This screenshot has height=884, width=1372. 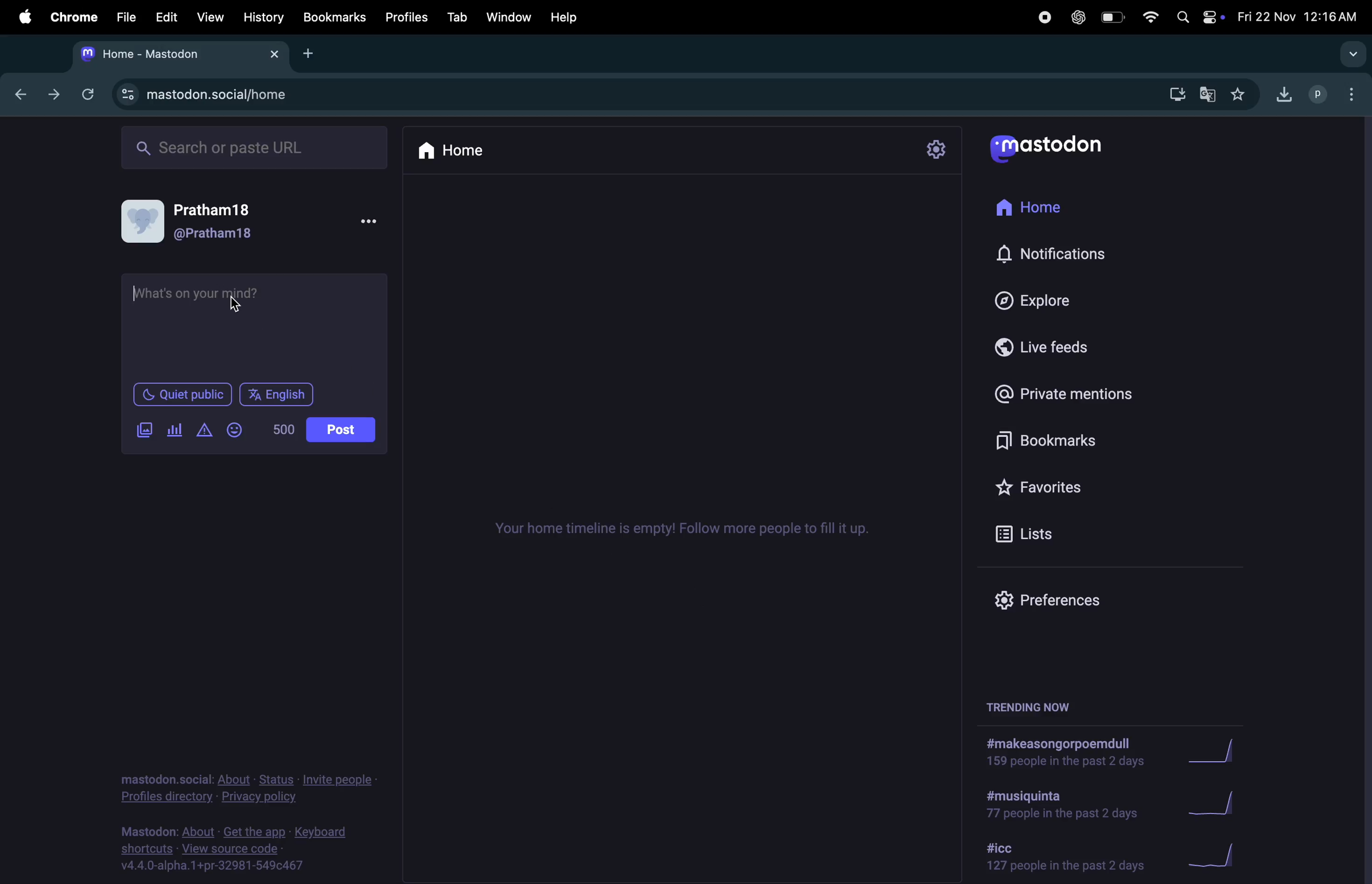 What do you see at coordinates (509, 14) in the screenshot?
I see `window` at bounding box center [509, 14].